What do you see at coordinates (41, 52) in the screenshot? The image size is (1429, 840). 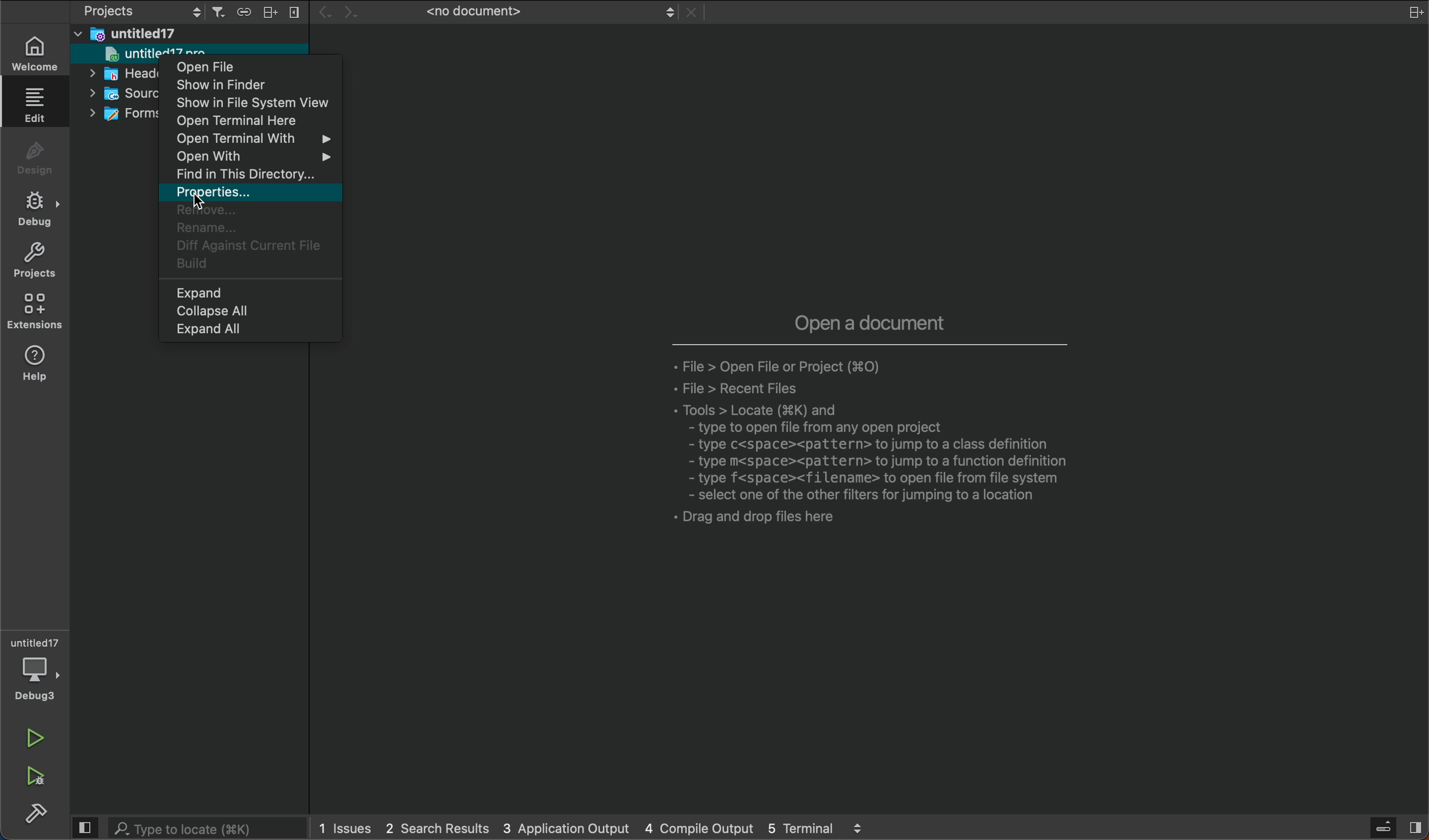 I see `welcome` at bounding box center [41, 52].